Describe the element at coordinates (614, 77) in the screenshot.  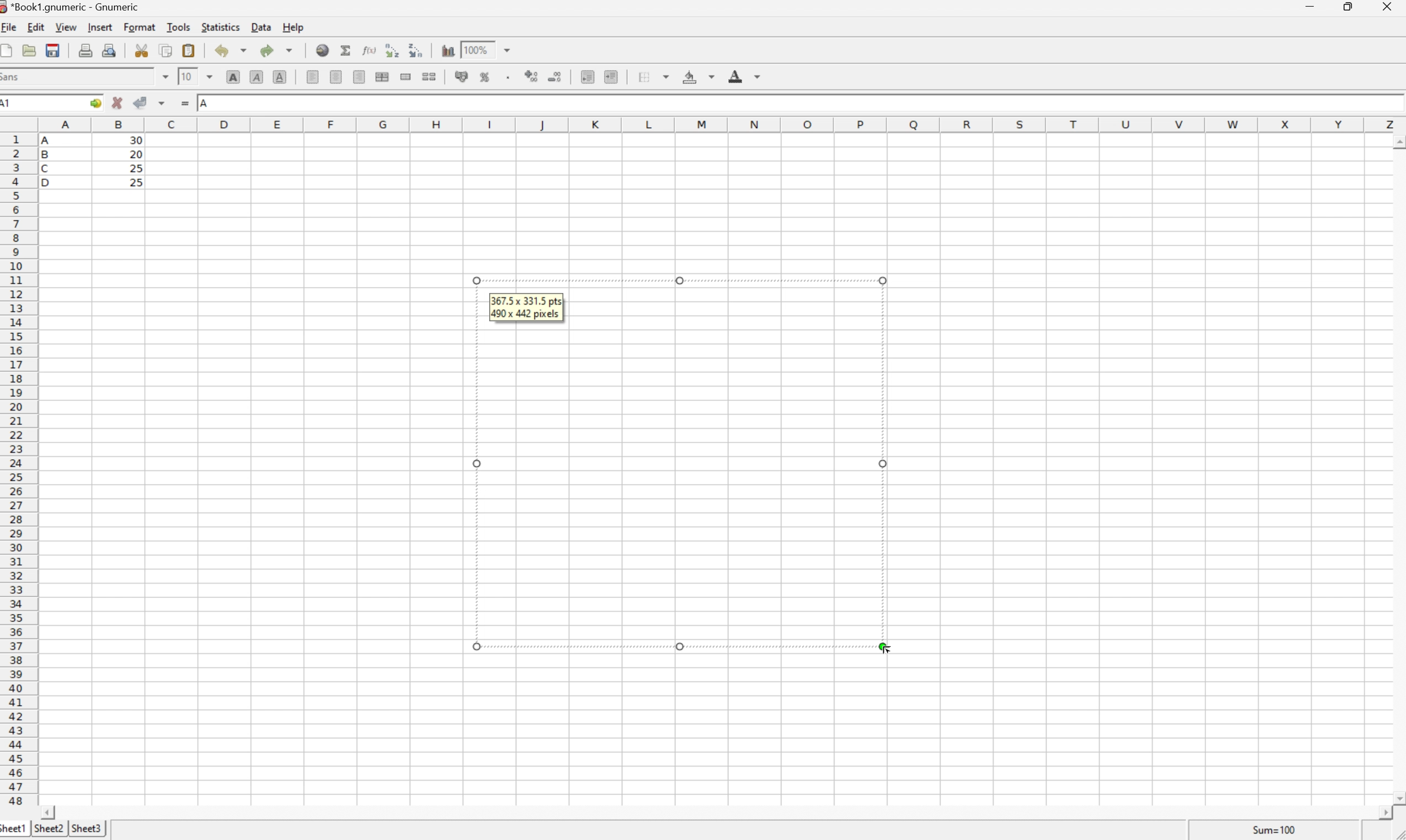
I see `Increase indent, and align the contents to the left` at that location.